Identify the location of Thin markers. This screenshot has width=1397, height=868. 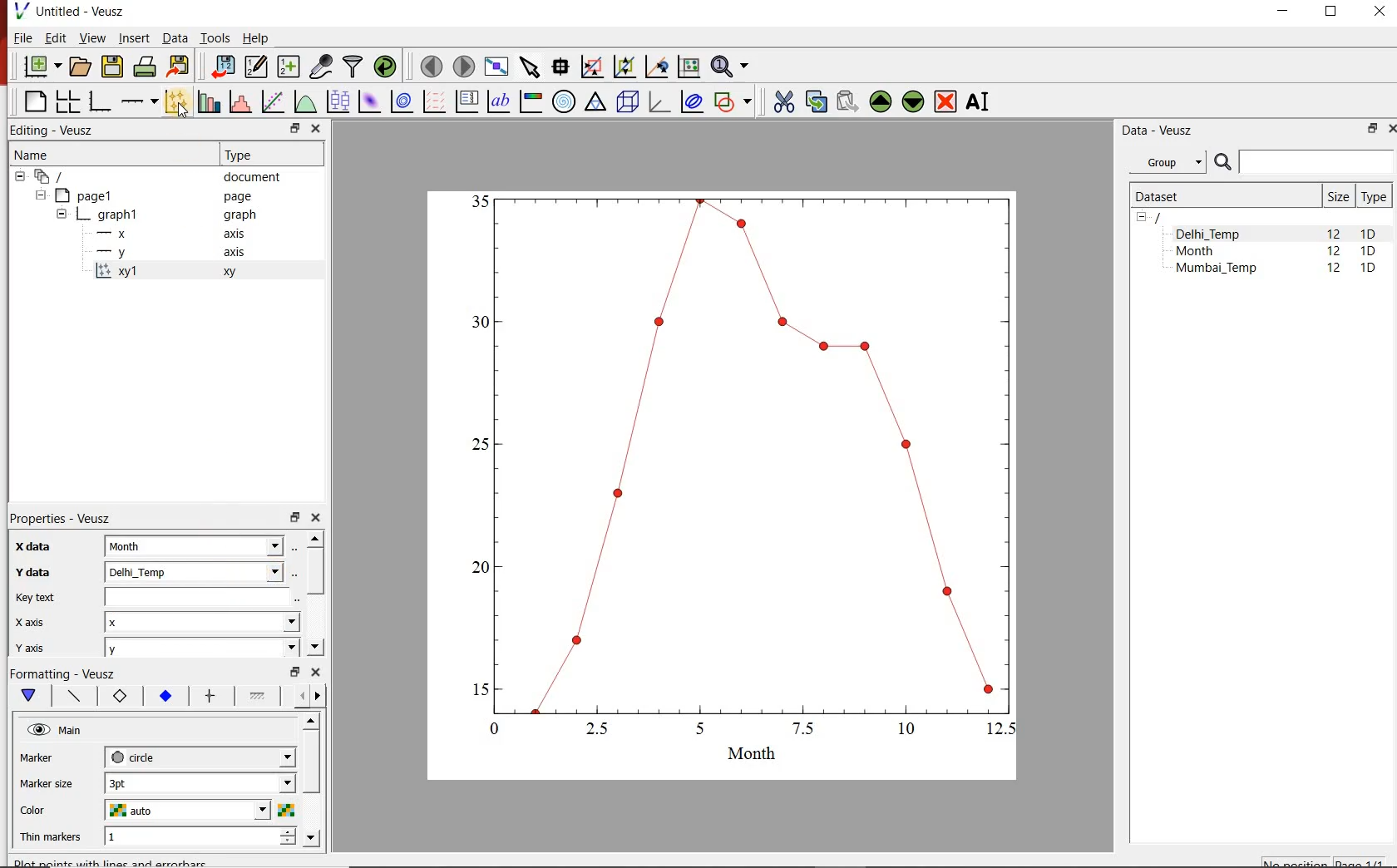
(49, 838).